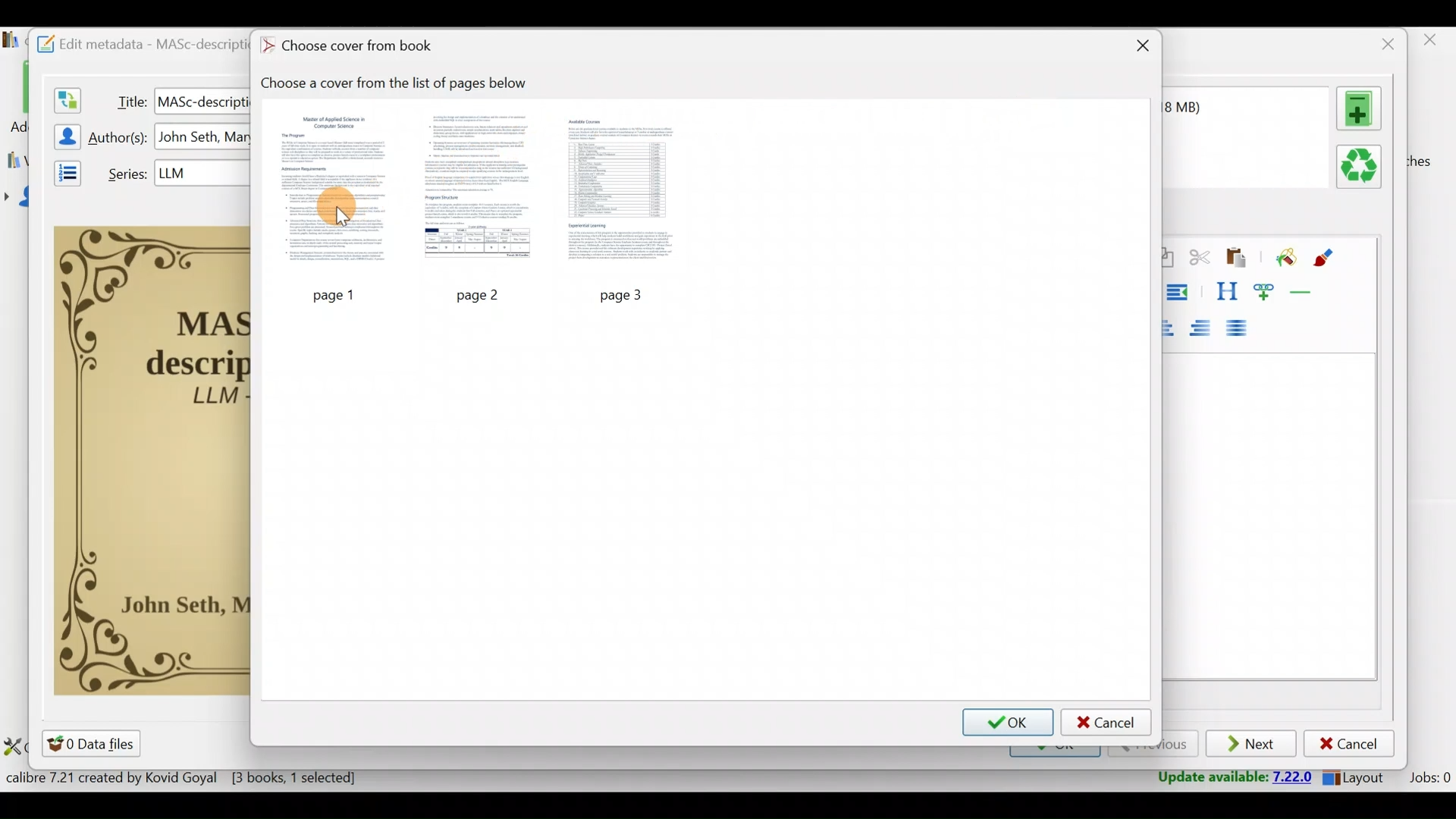  What do you see at coordinates (1230, 778) in the screenshot?
I see `Update` at bounding box center [1230, 778].